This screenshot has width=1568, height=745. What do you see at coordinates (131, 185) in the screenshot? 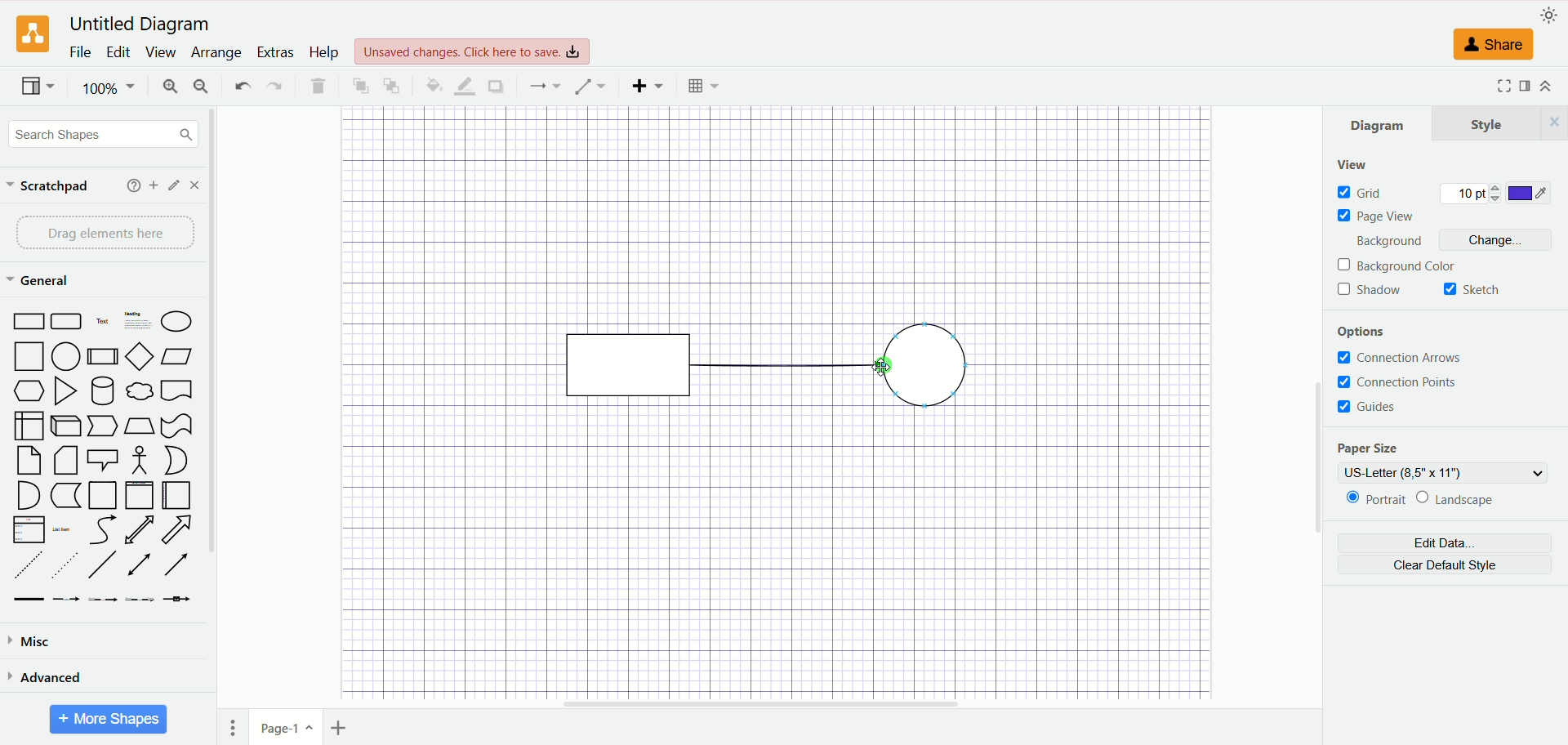
I see `help` at bounding box center [131, 185].